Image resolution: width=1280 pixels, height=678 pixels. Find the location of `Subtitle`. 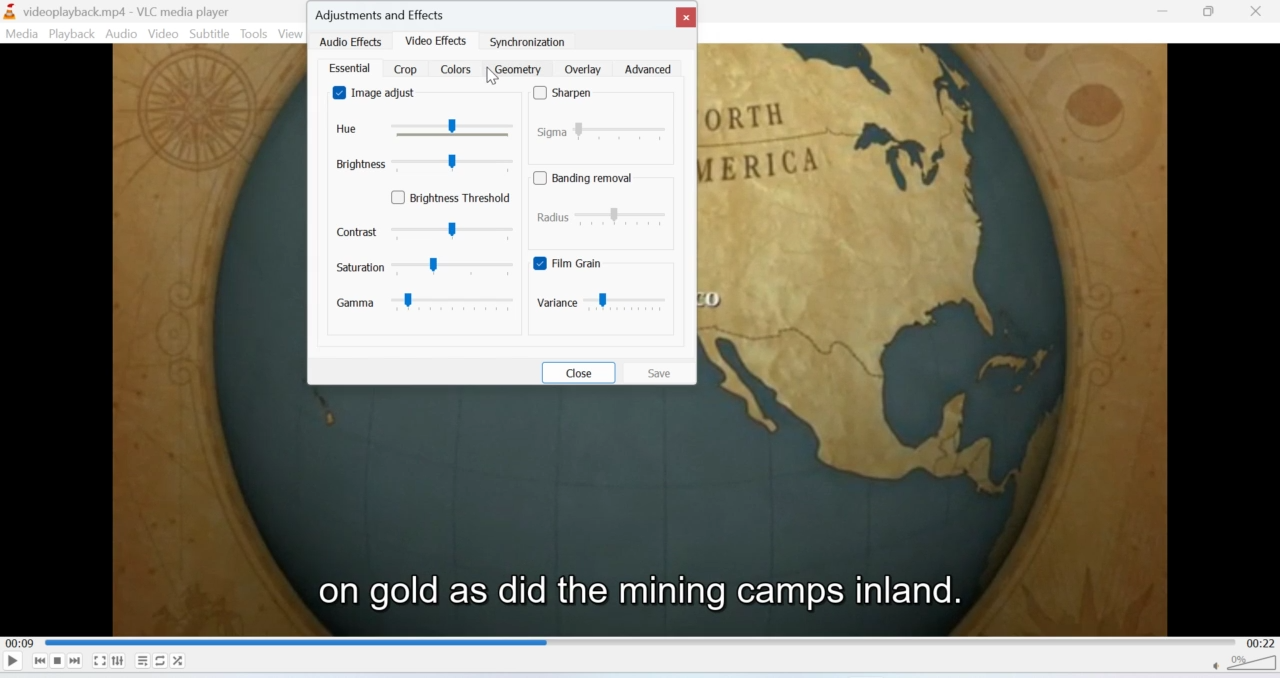

Subtitle is located at coordinates (210, 33).